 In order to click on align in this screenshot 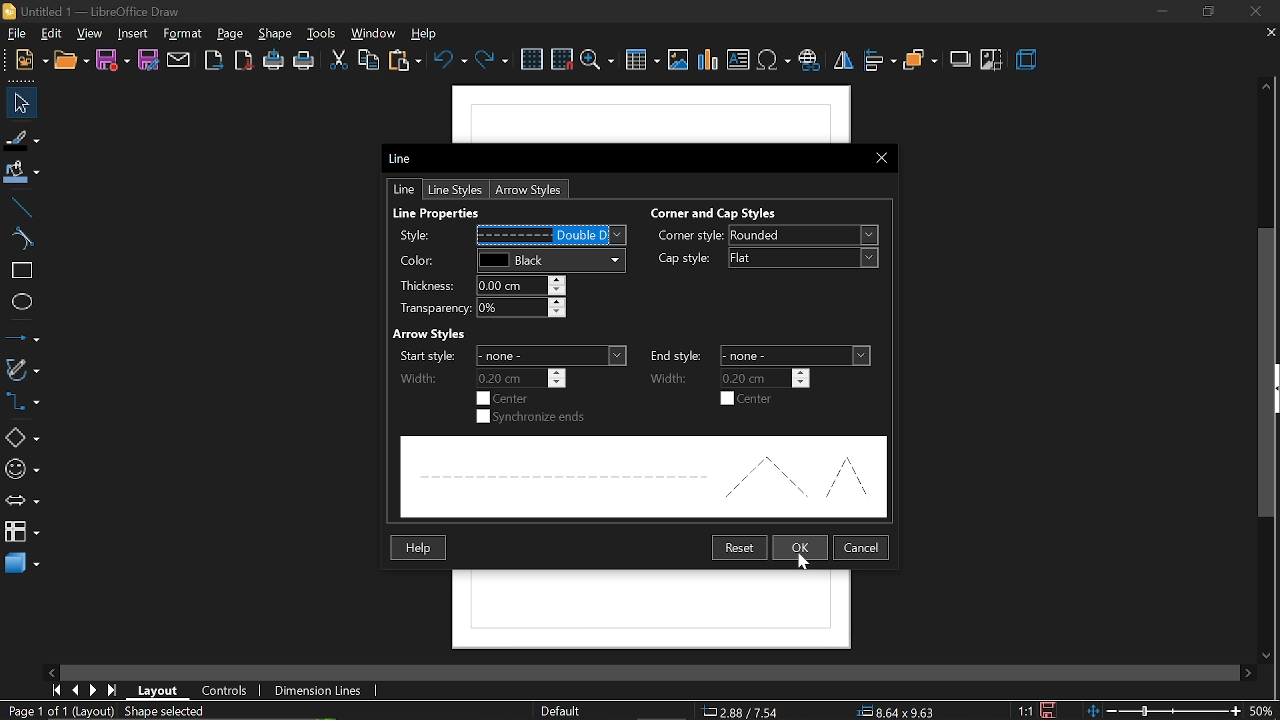, I will do `click(881, 60)`.